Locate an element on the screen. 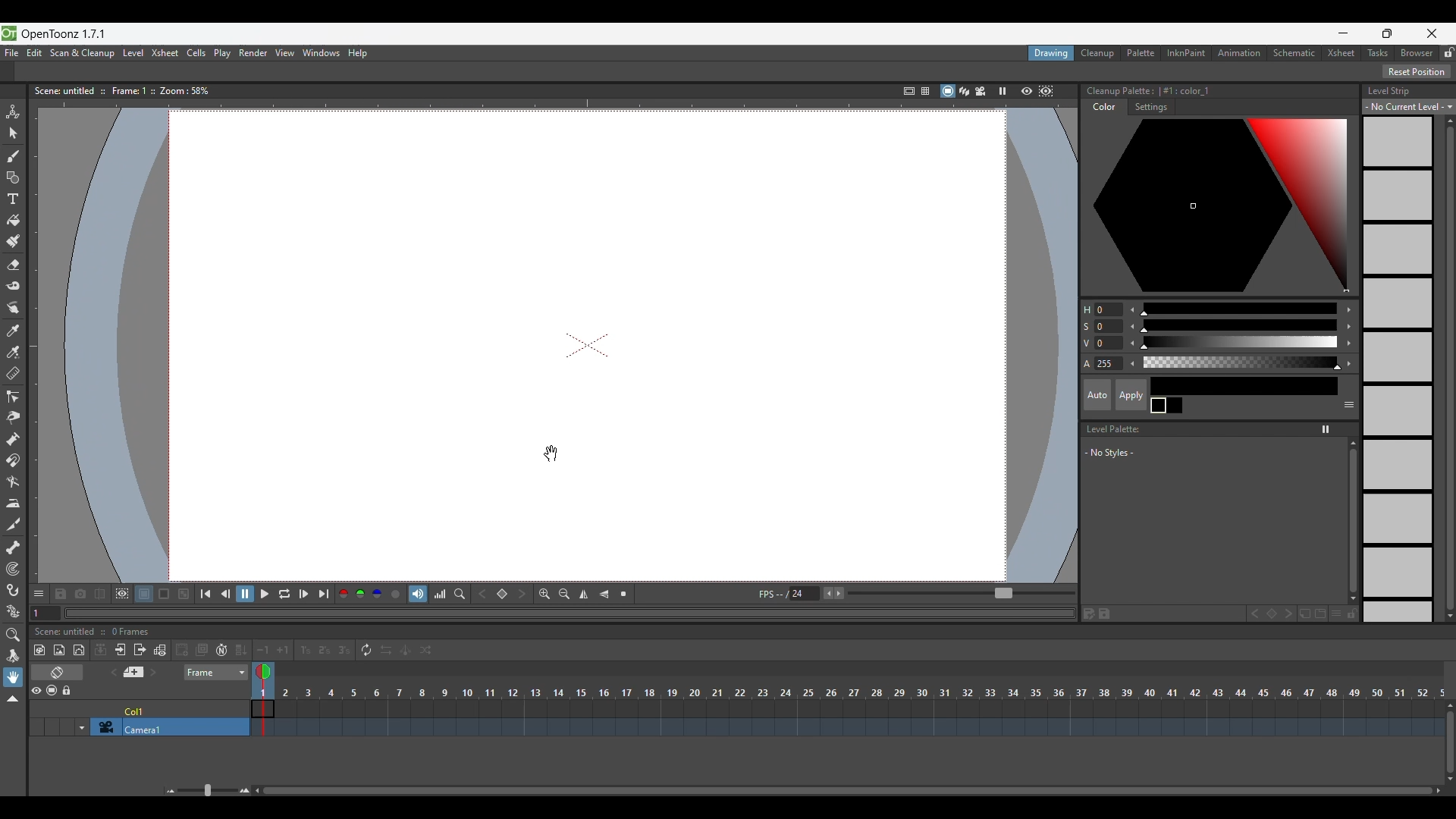 This screenshot has width=1456, height=819. Frame sheet options is located at coordinates (216, 673).